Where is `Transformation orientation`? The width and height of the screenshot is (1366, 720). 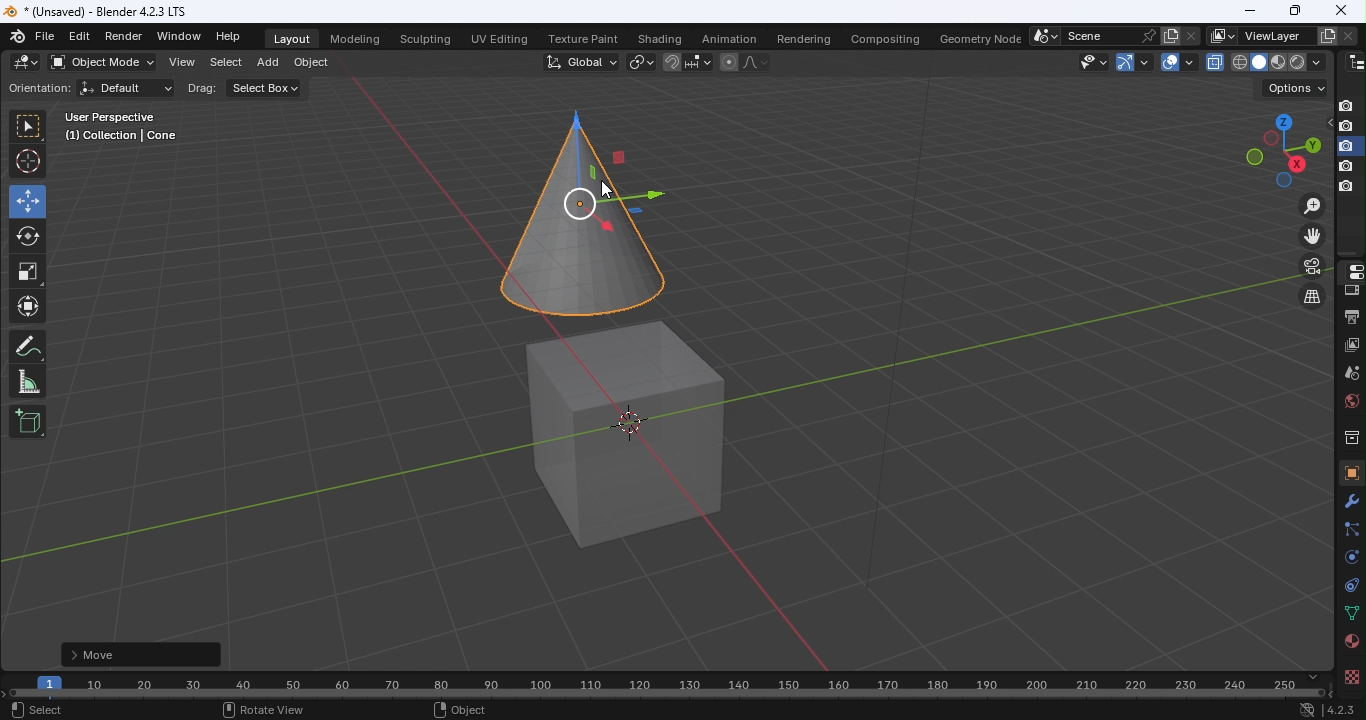 Transformation orientation is located at coordinates (584, 60).